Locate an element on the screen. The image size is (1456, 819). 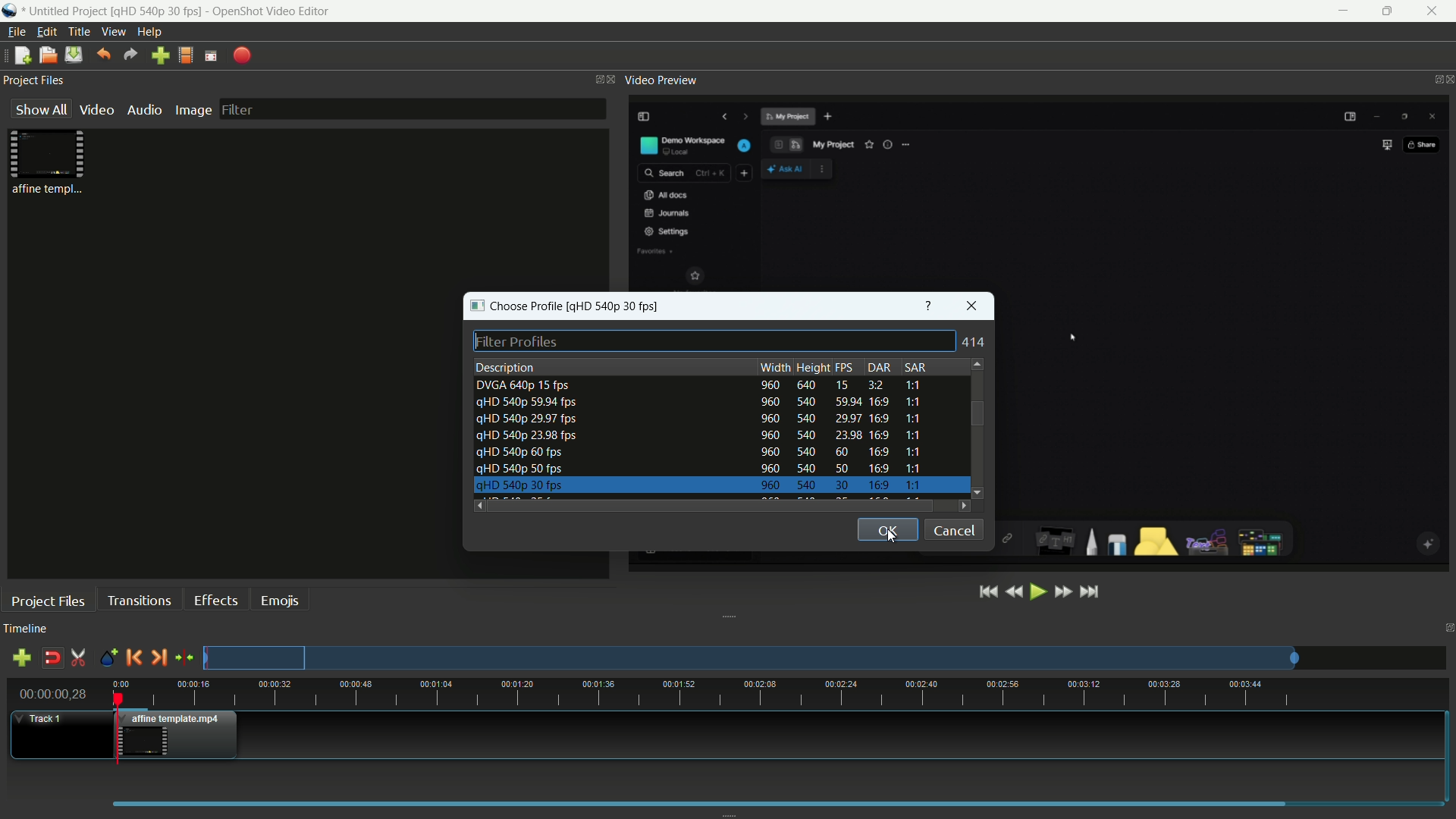
project files is located at coordinates (49, 601).